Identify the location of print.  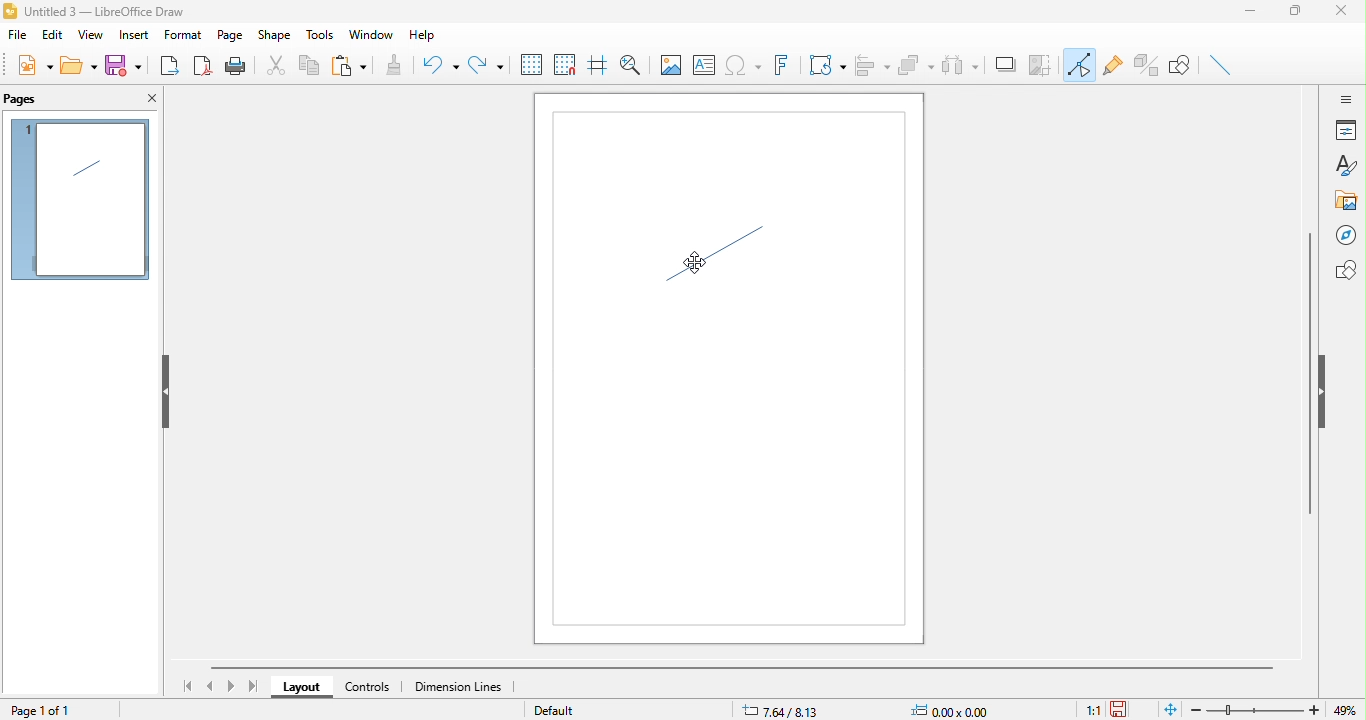
(236, 66).